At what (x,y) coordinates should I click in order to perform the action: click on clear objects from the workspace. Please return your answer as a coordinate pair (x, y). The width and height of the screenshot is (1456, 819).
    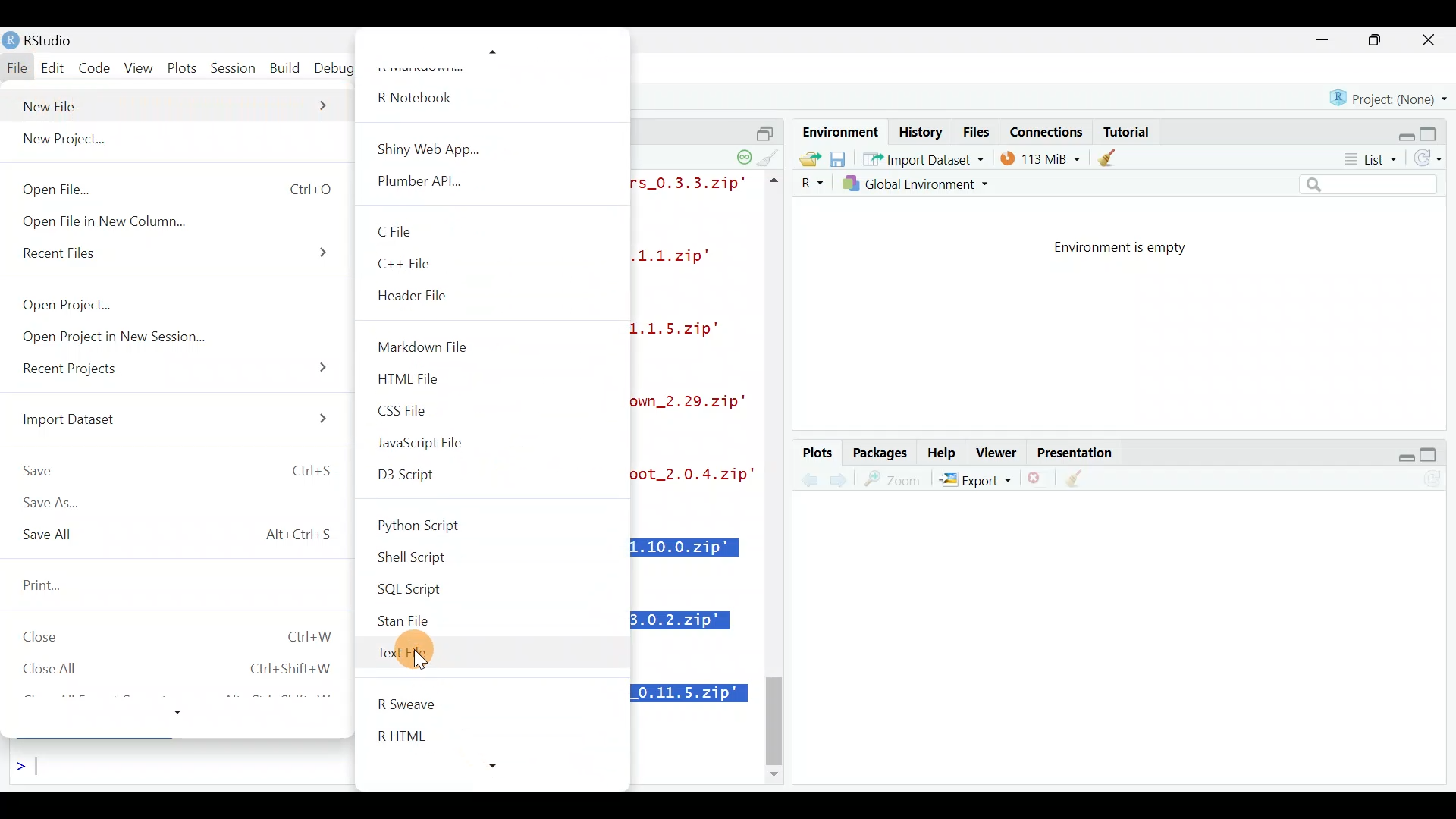
    Looking at the image, I should click on (1109, 157).